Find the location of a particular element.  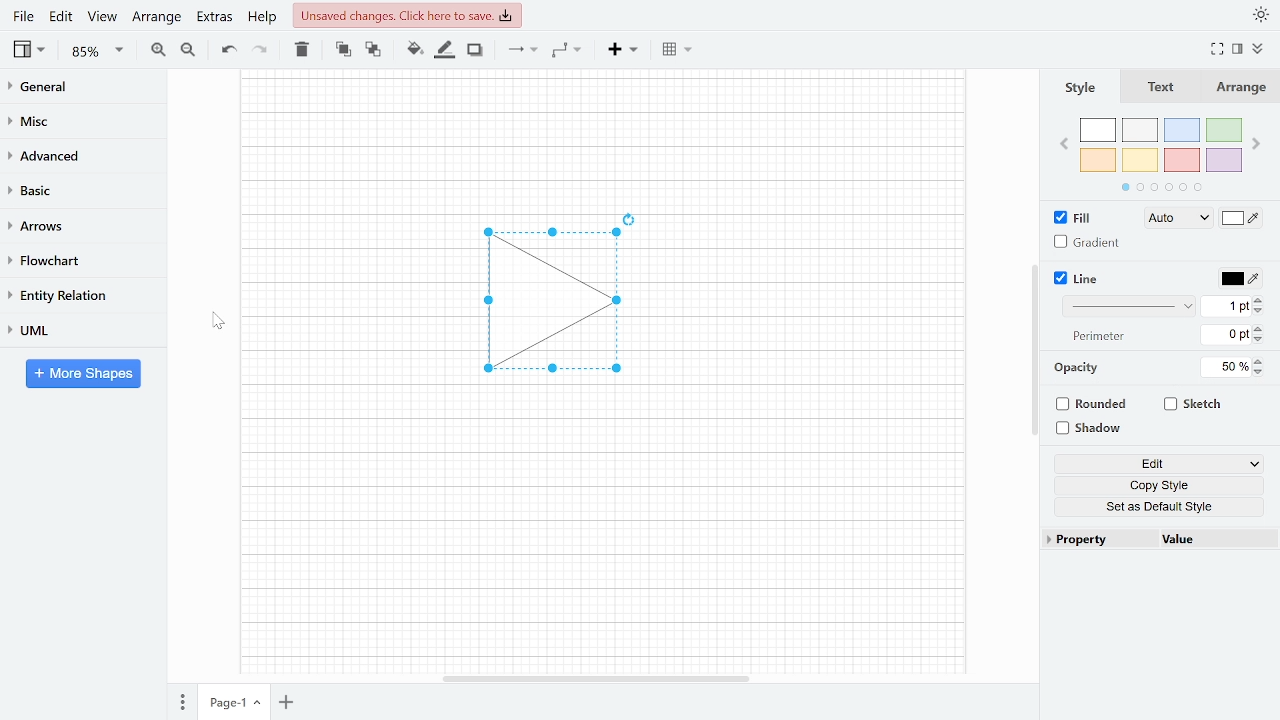

Next is located at coordinates (1258, 140).